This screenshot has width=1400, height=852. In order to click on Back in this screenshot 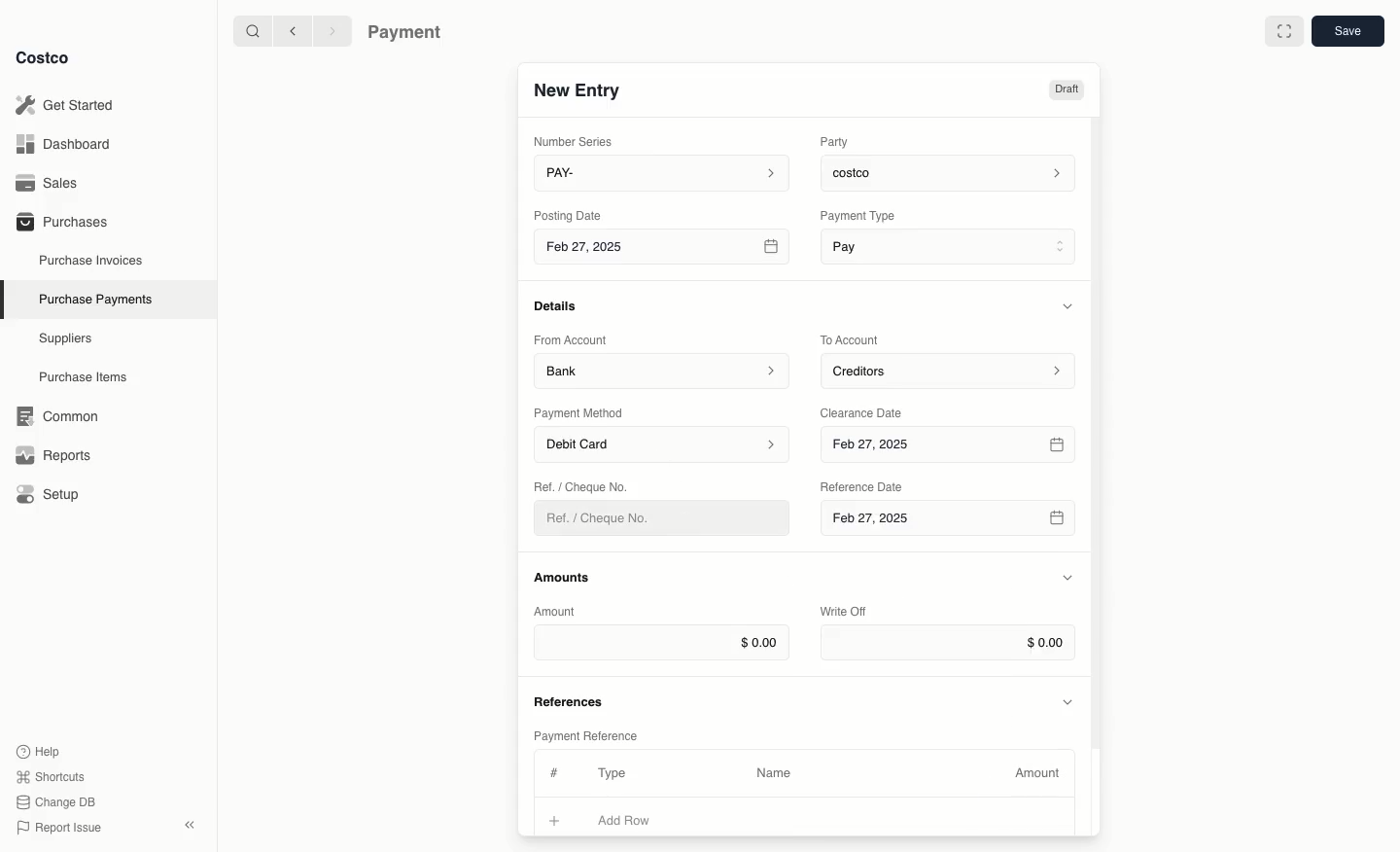, I will do `click(293, 30)`.